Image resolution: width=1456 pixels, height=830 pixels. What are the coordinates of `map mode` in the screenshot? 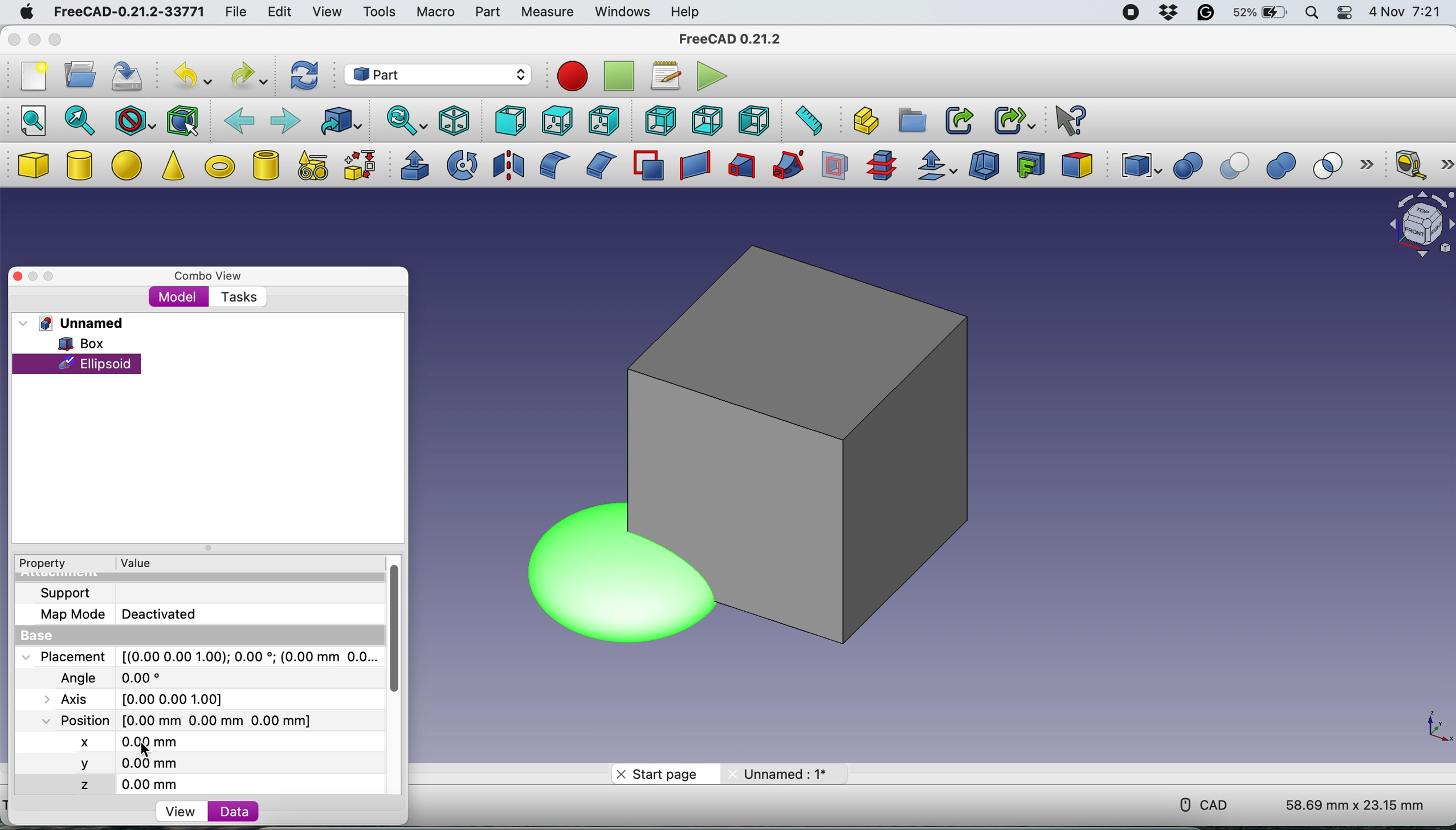 It's located at (68, 616).